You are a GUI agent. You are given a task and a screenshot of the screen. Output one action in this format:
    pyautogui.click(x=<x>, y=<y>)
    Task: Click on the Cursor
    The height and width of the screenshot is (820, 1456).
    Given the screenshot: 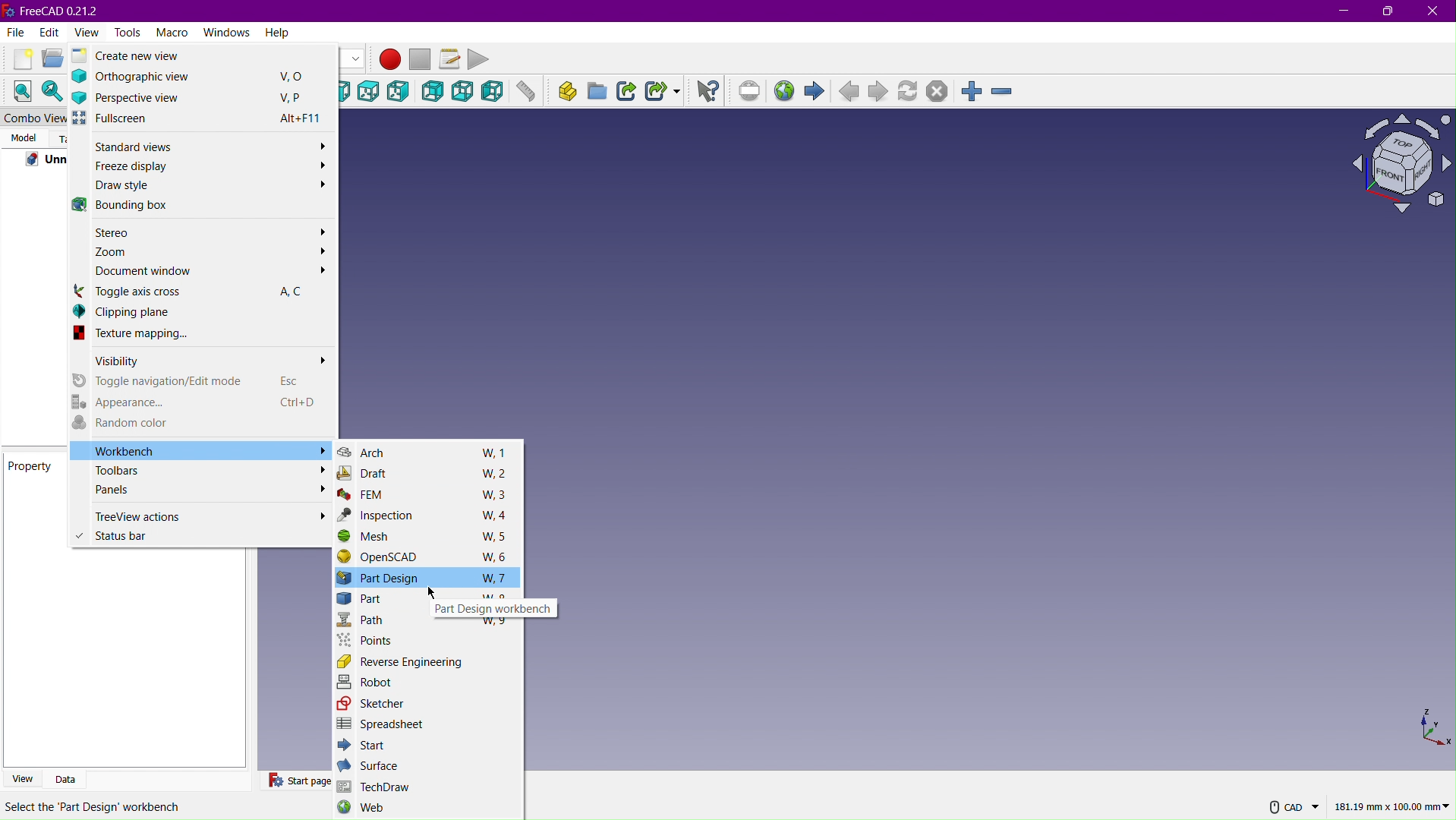 What is the action you would take?
    pyautogui.click(x=427, y=591)
    